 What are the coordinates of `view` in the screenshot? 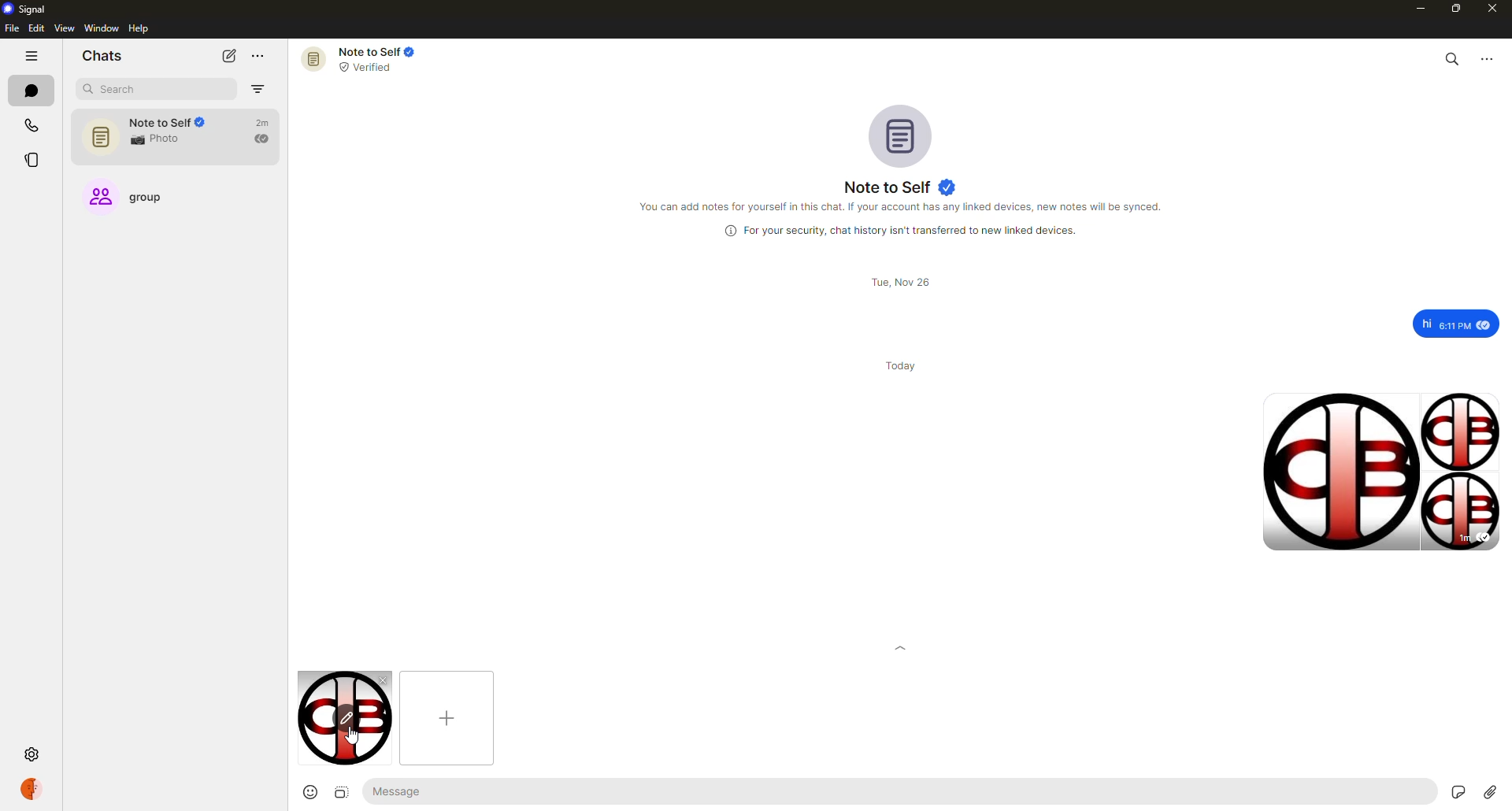 It's located at (65, 29).